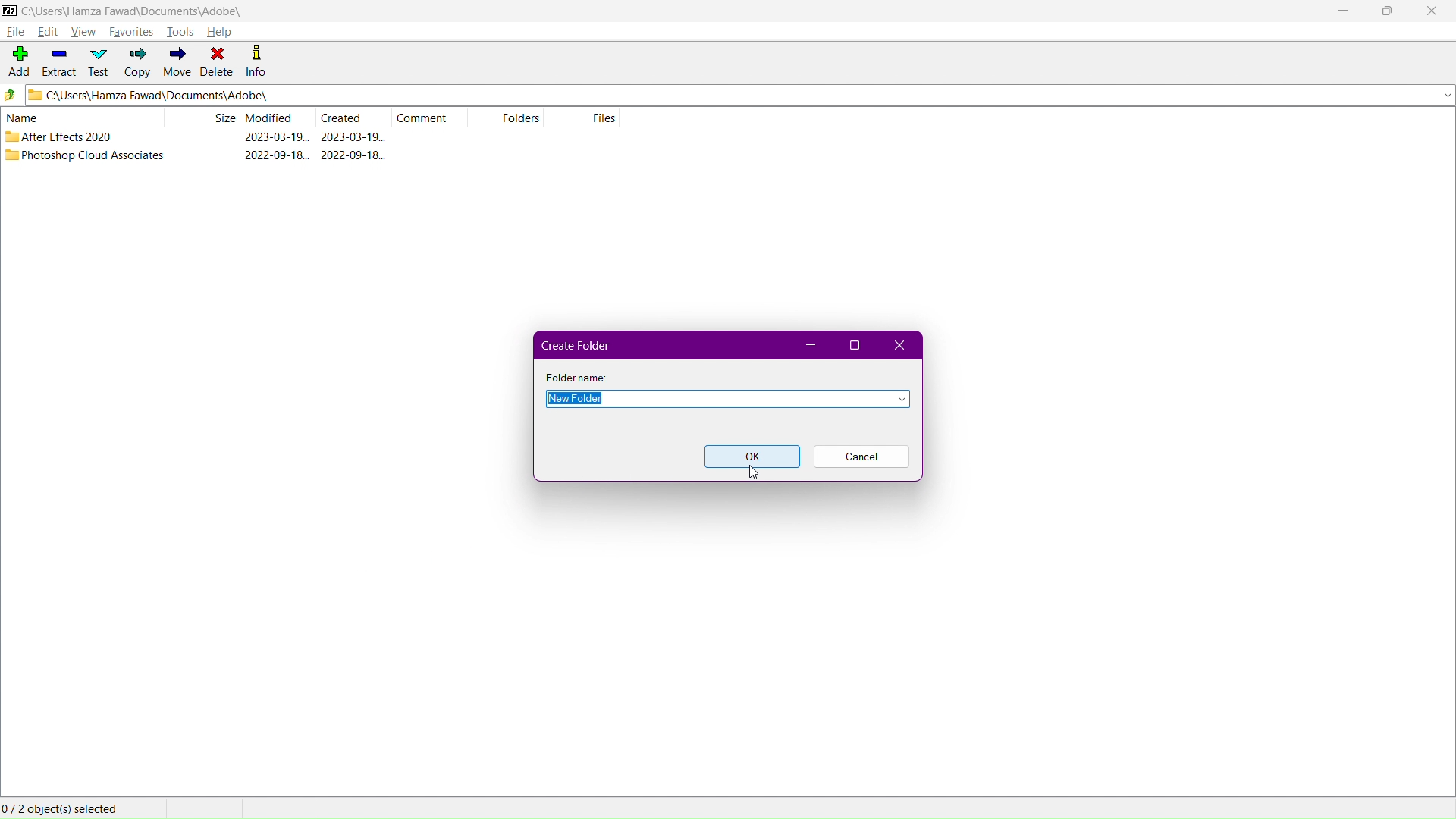 This screenshot has width=1456, height=819. I want to click on Comment, so click(435, 117).